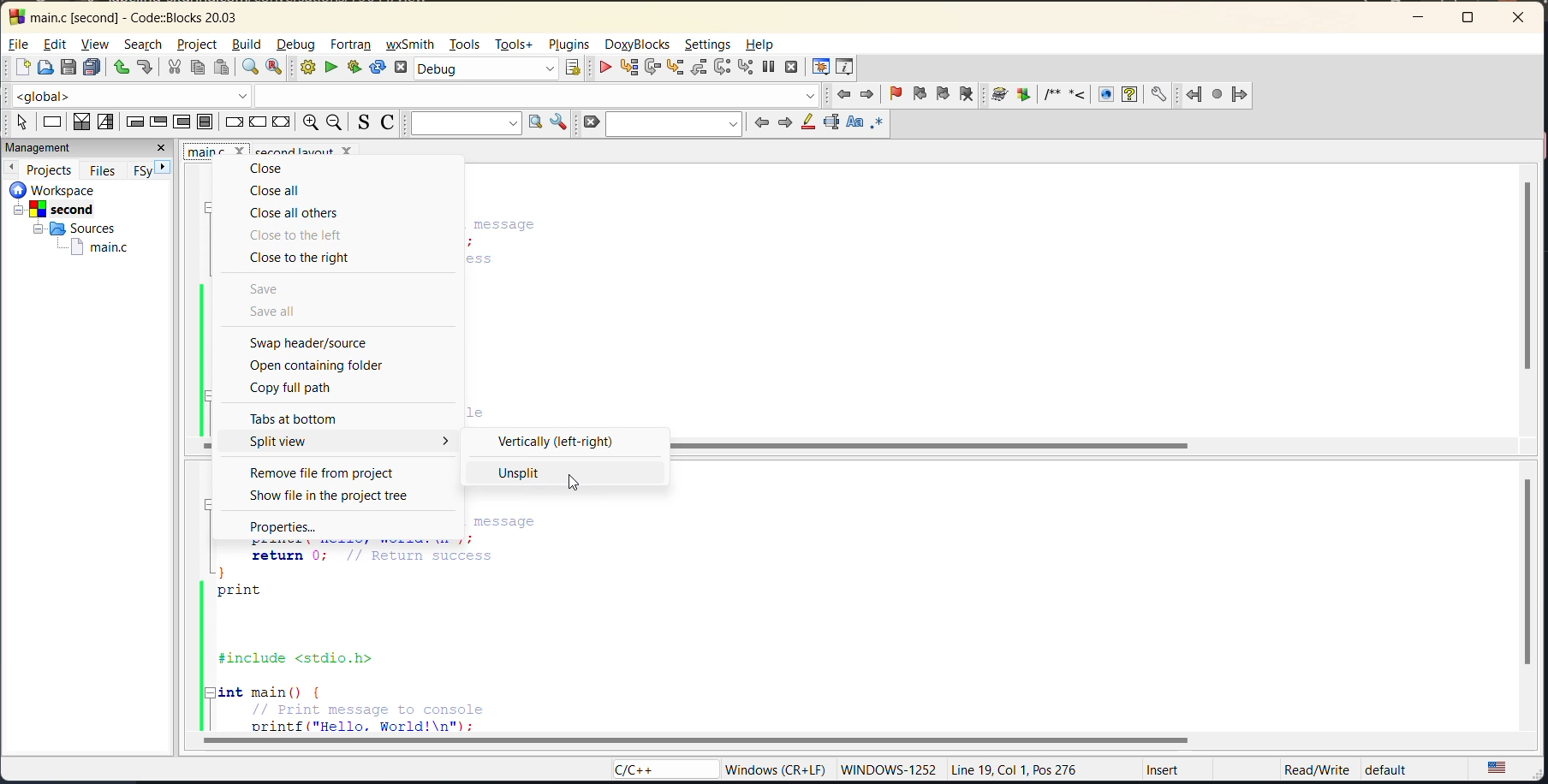 The image size is (1548, 784). What do you see at coordinates (409, 45) in the screenshot?
I see `wxsmith` at bounding box center [409, 45].